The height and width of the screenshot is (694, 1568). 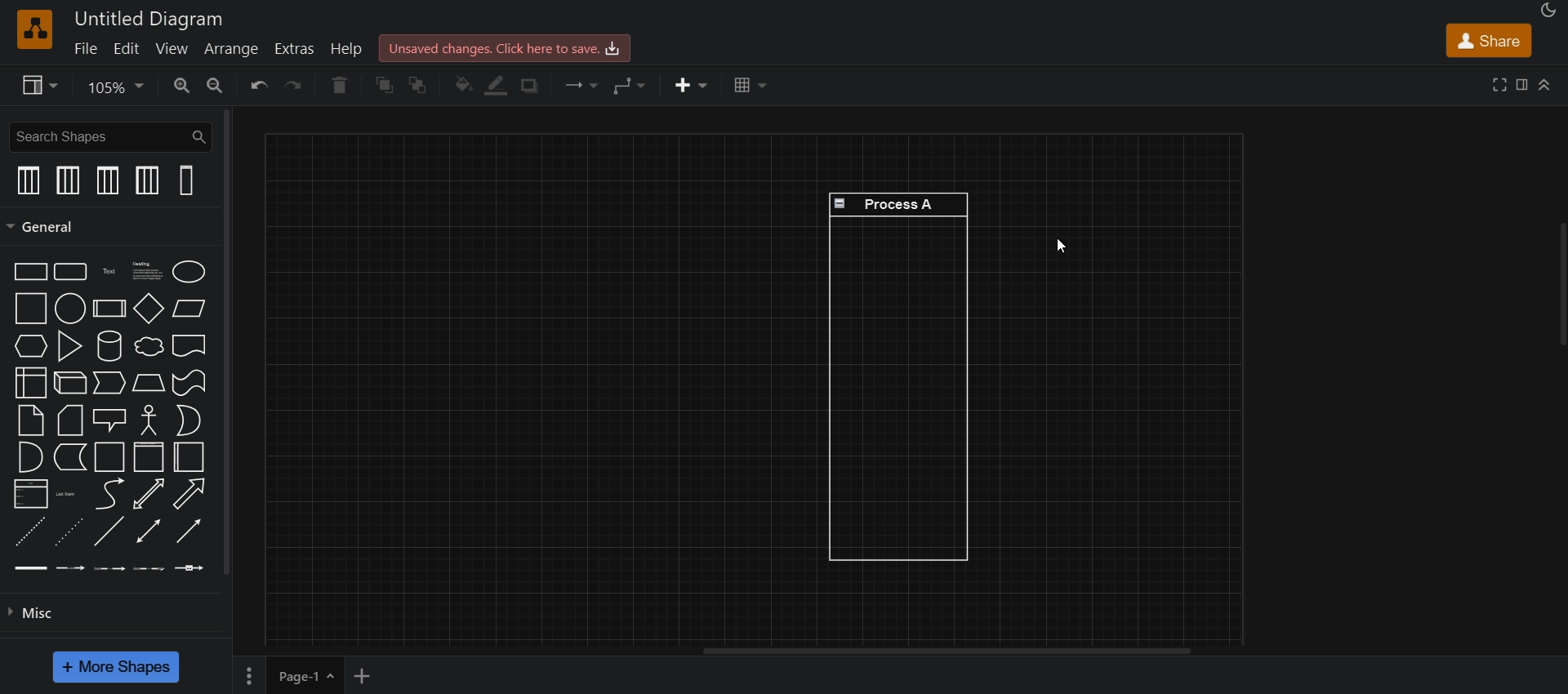 I want to click on connection, so click(x=584, y=84).